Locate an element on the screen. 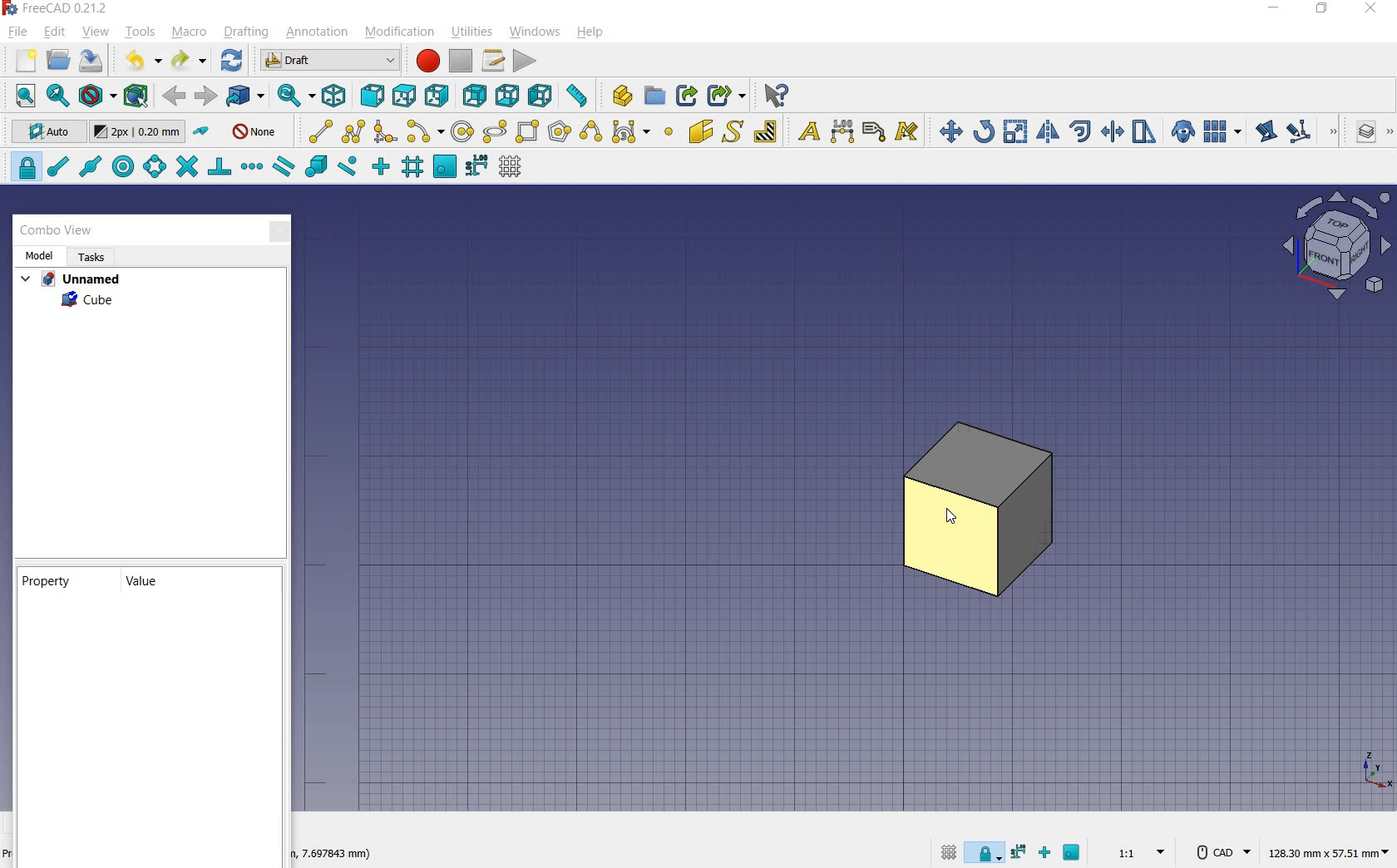 Image resolution: width=1397 pixels, height=868 pixels. file is located at coordinates (19, 31).